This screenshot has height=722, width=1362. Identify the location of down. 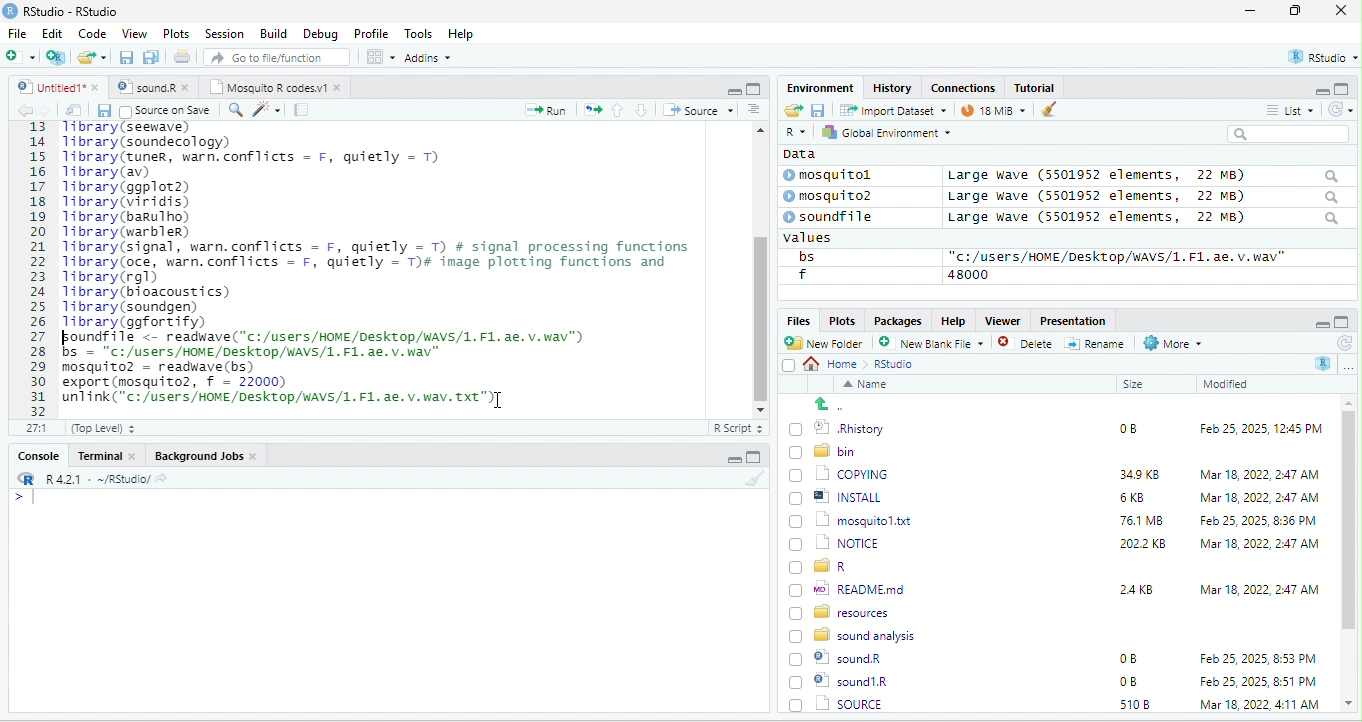
(642, 109).